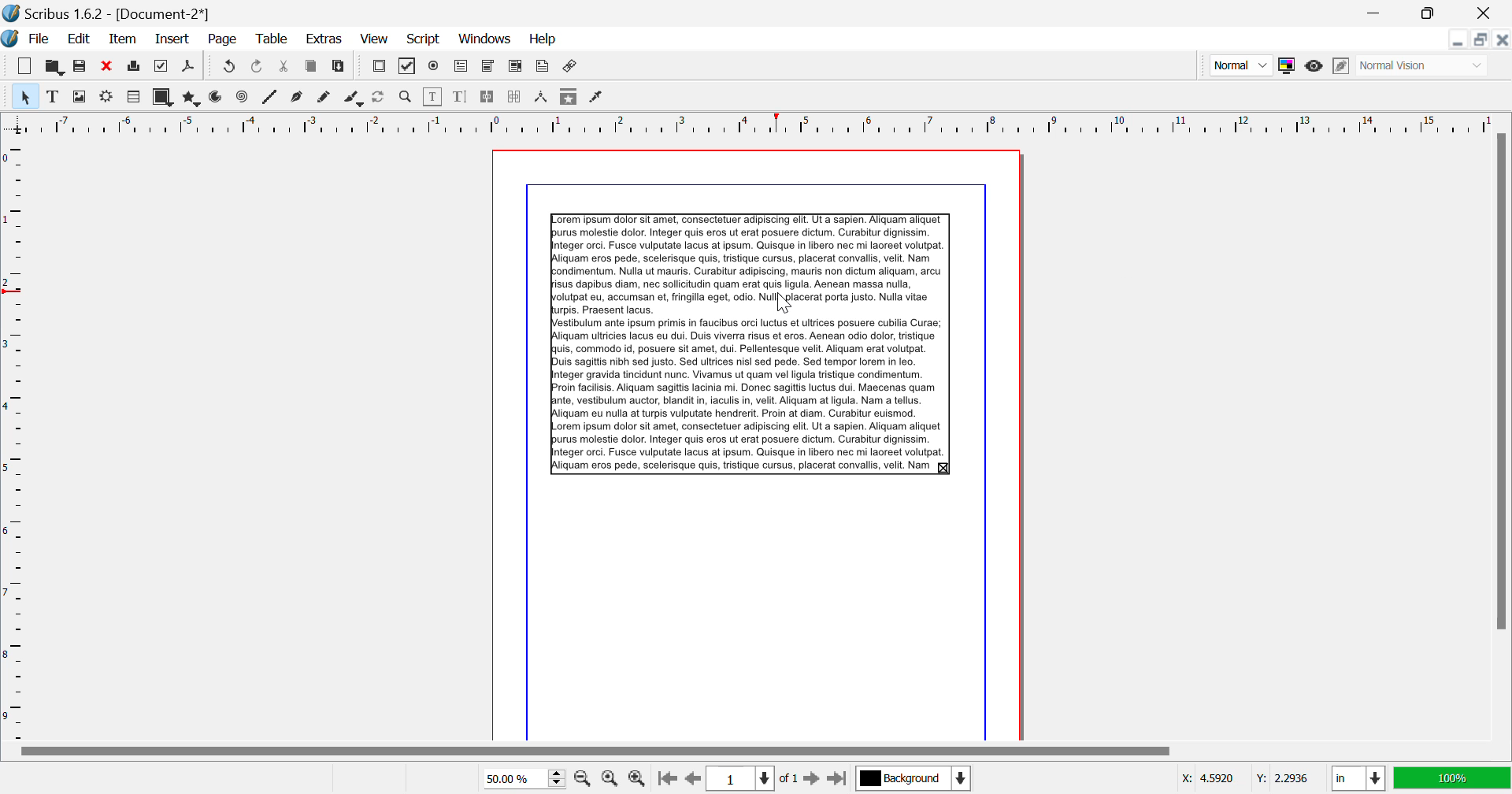  I want to click on Page, so click(221, 40).